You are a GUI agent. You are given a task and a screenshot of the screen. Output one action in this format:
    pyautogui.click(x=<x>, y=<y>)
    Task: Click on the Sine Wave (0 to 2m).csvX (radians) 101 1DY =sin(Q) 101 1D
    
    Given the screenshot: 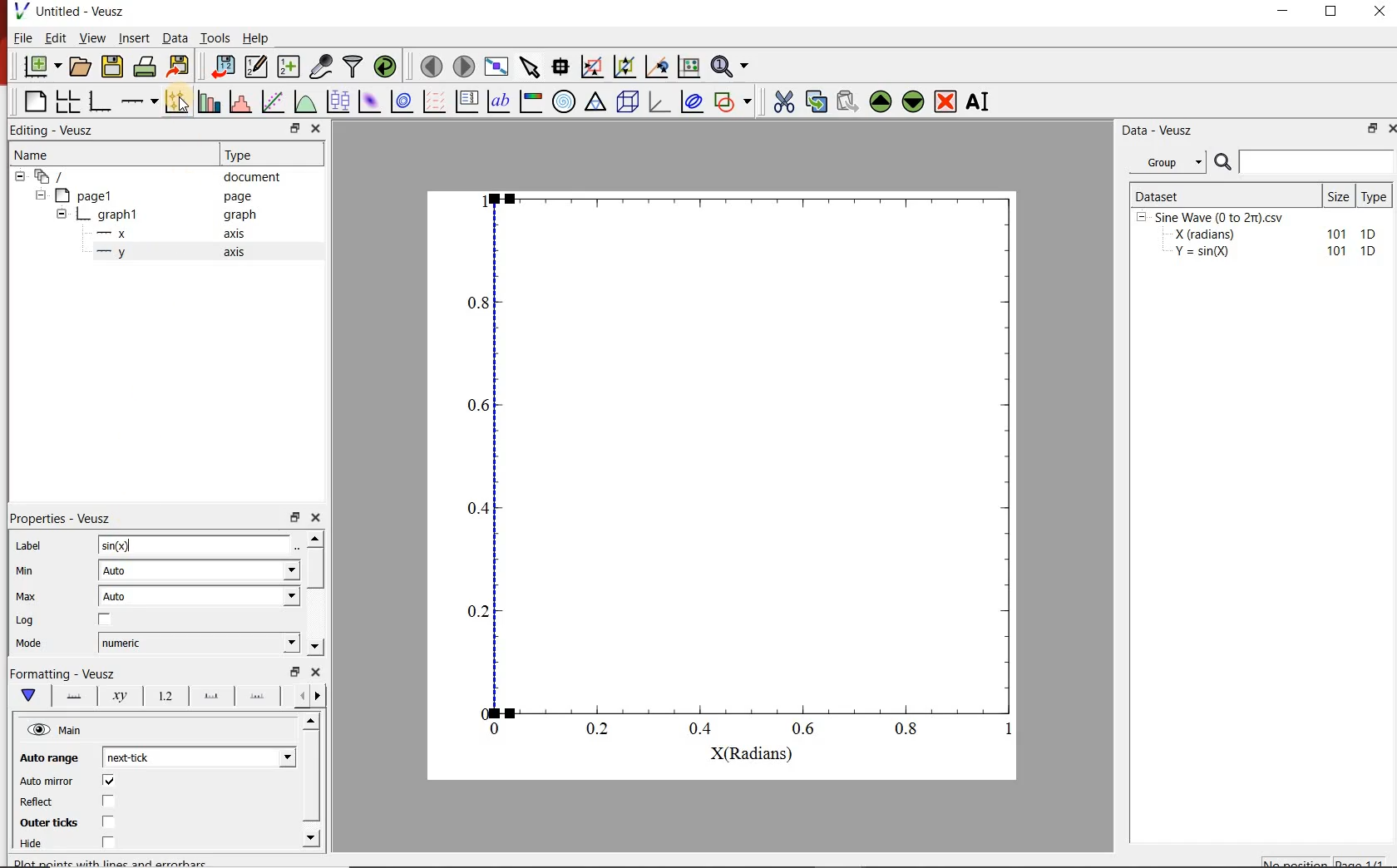 What is the action you would take?
    pyautogui.click(x=1258, y=239)
    